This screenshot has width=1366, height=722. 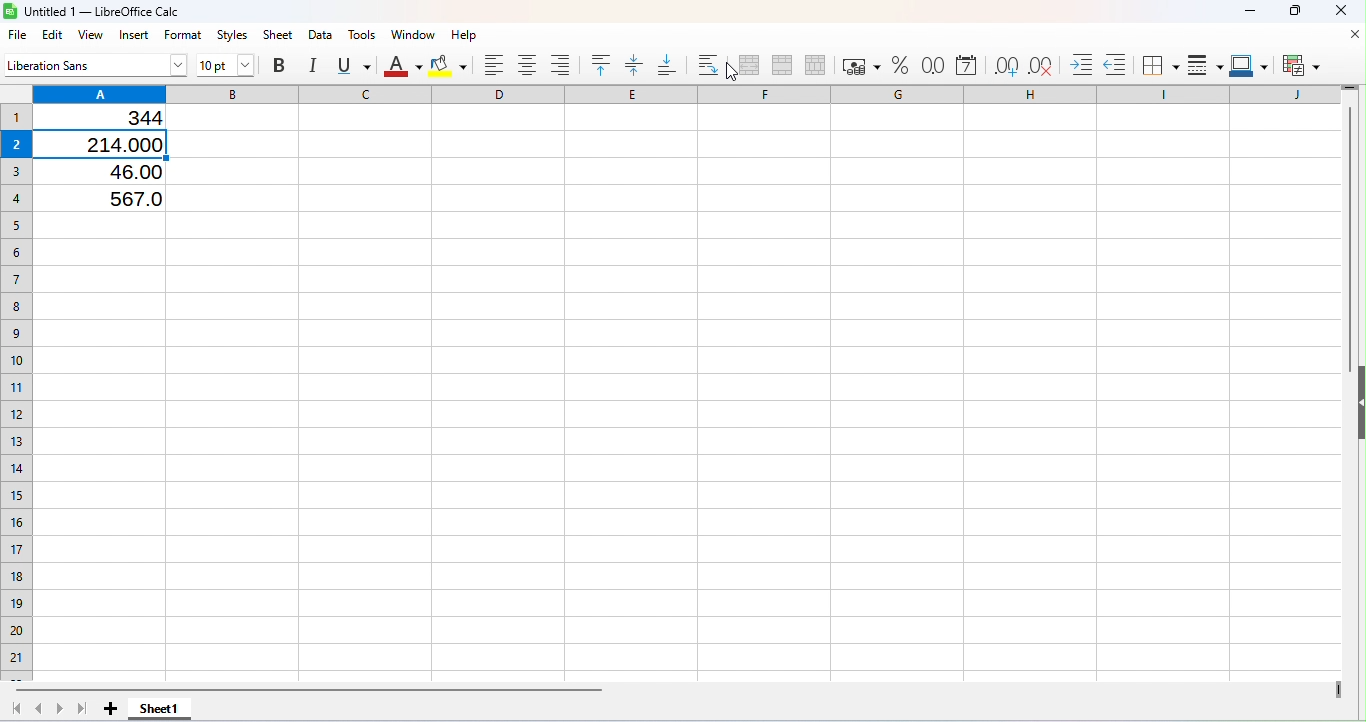 I want to click on Align top, so click(x=604, y=64).